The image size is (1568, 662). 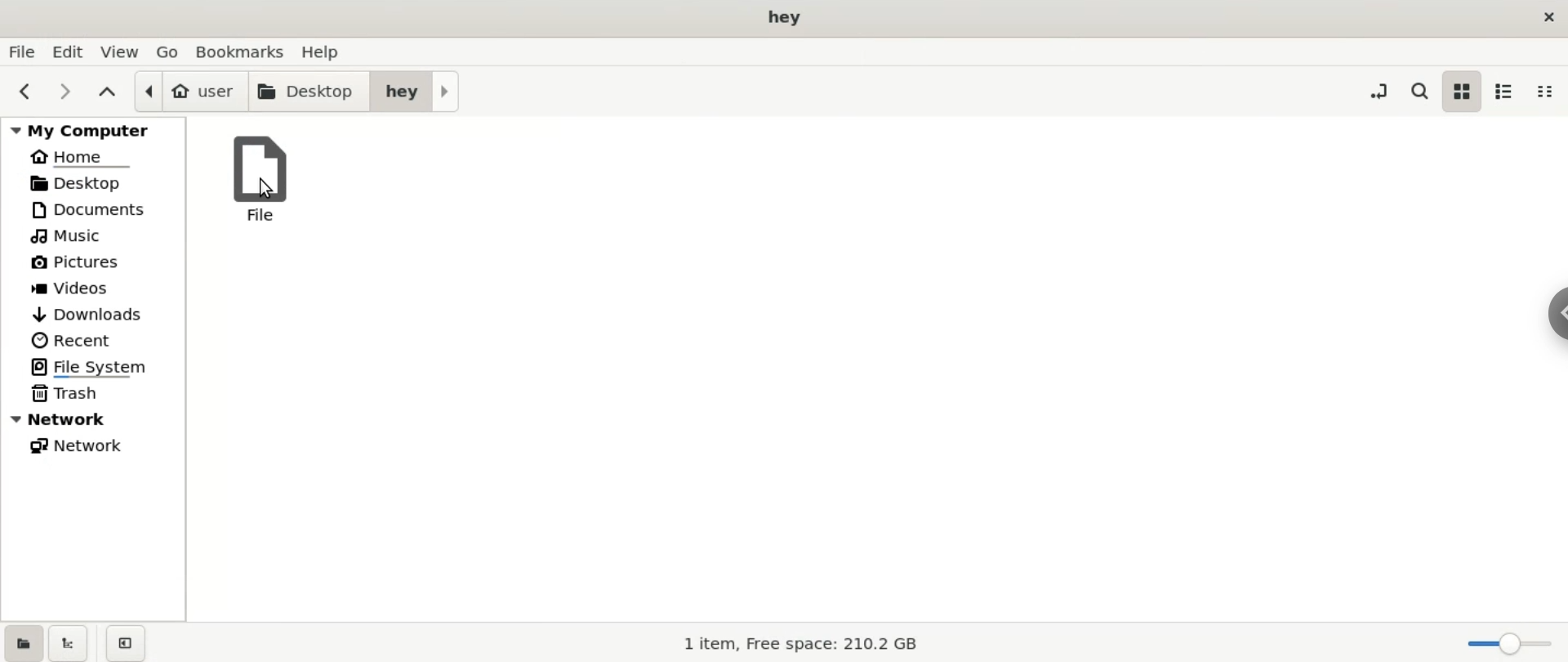 I want to click on edit, so click(x=67, y=51).